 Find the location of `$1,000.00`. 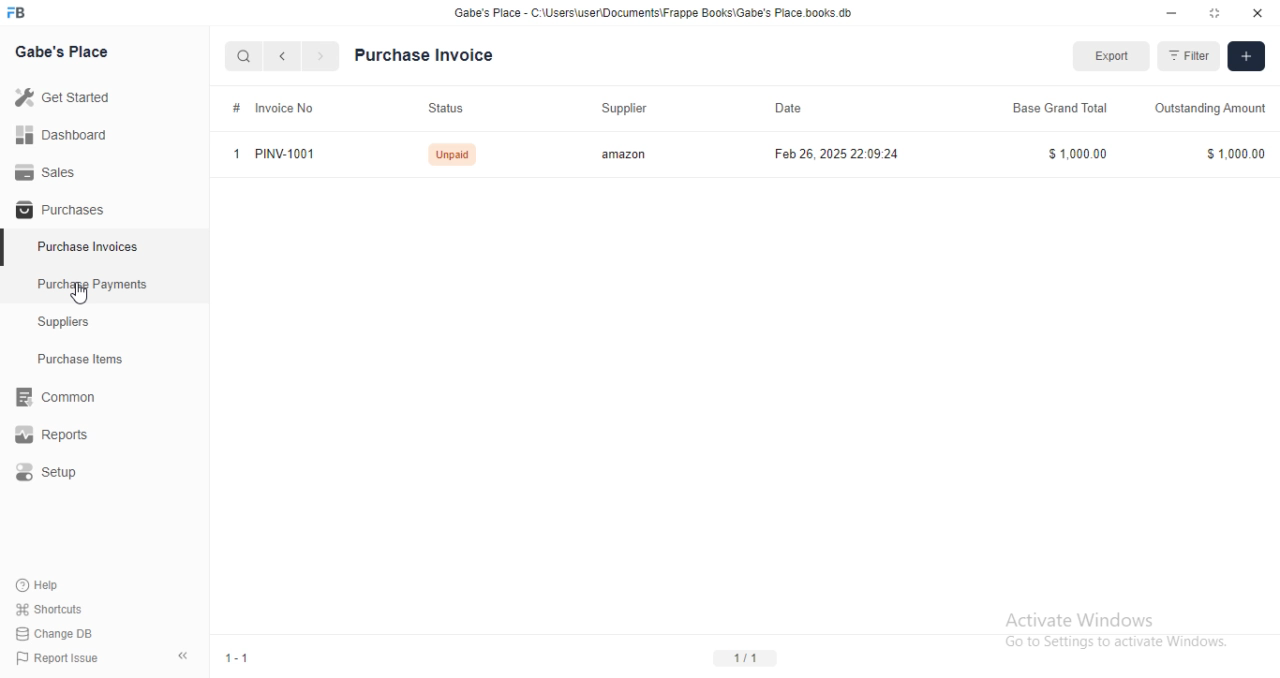

$1,000.00 is located at coordinates (1232, 153).